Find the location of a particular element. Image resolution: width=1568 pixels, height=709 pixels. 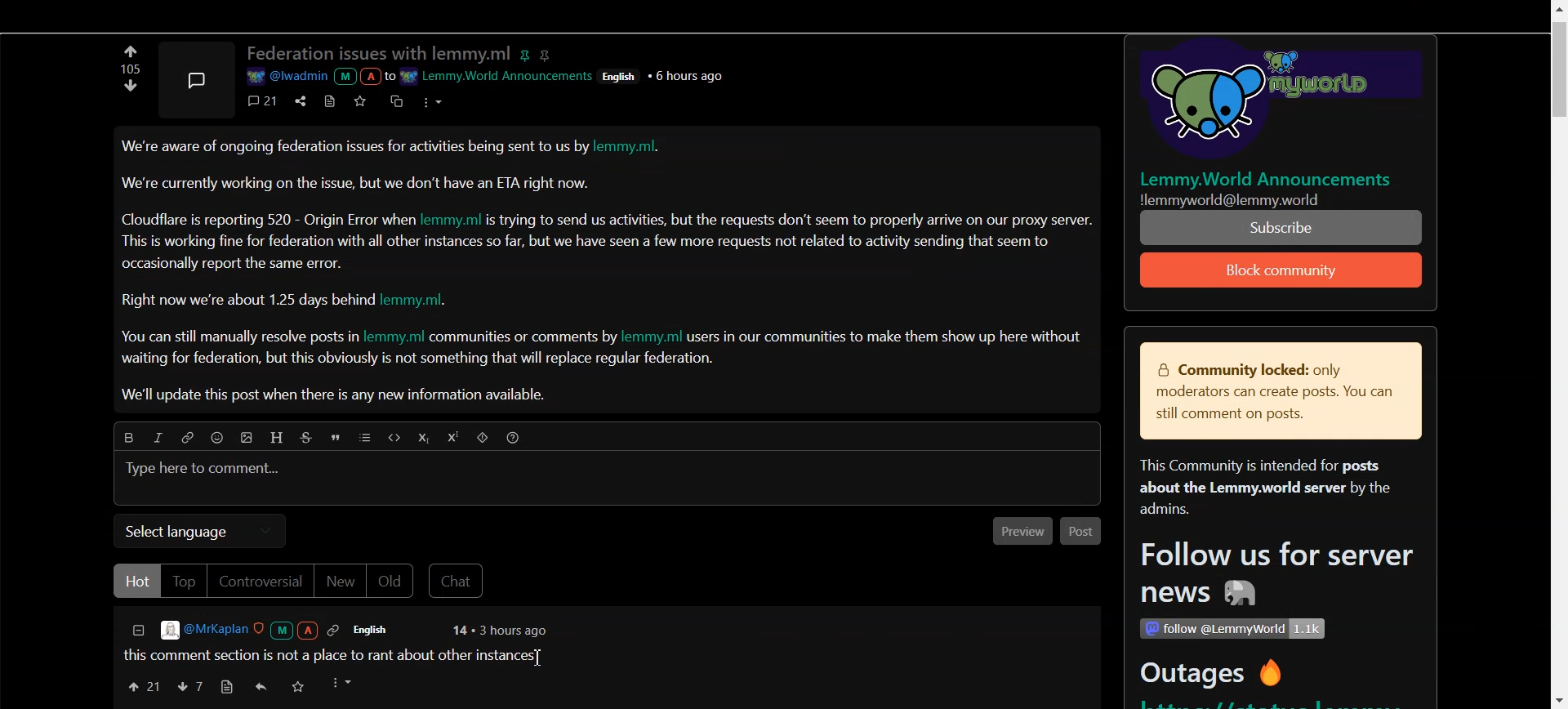

Bold is located at coordinates (124, 435).